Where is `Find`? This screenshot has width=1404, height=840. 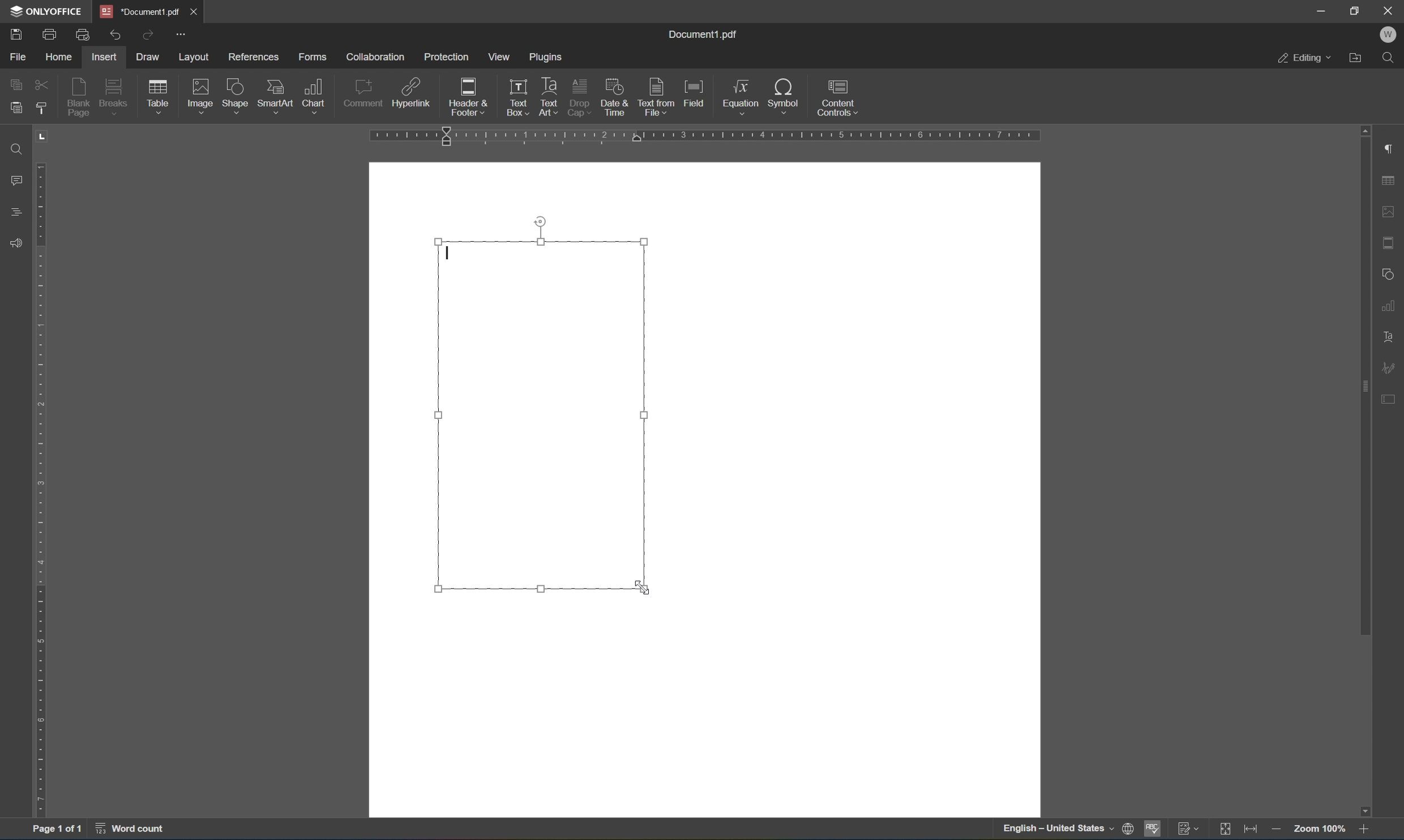 Find is located at coordinates (1388, 58).